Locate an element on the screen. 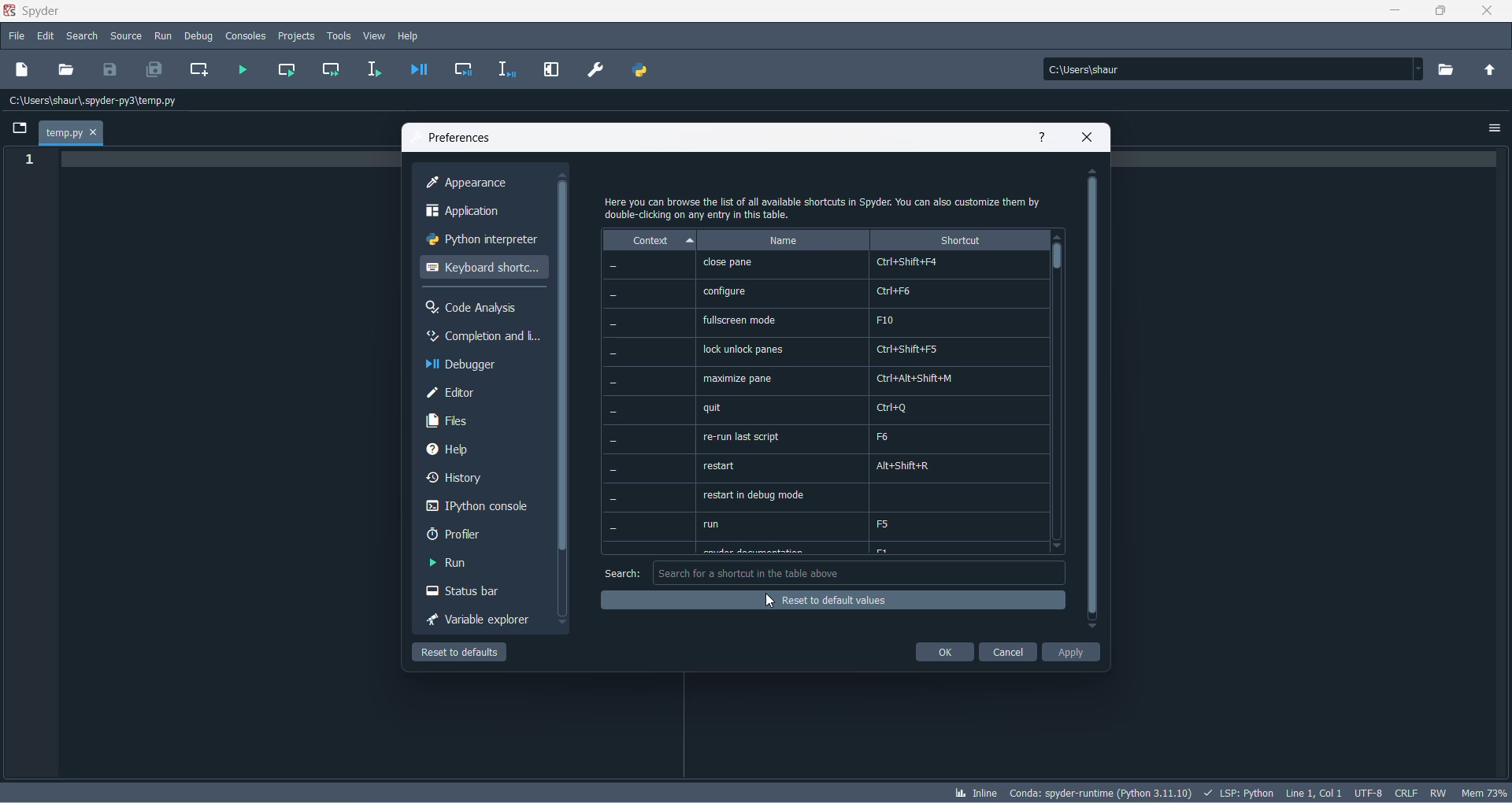 The image size is (1512, 803). debug cell is located at coordinates (465, 70).